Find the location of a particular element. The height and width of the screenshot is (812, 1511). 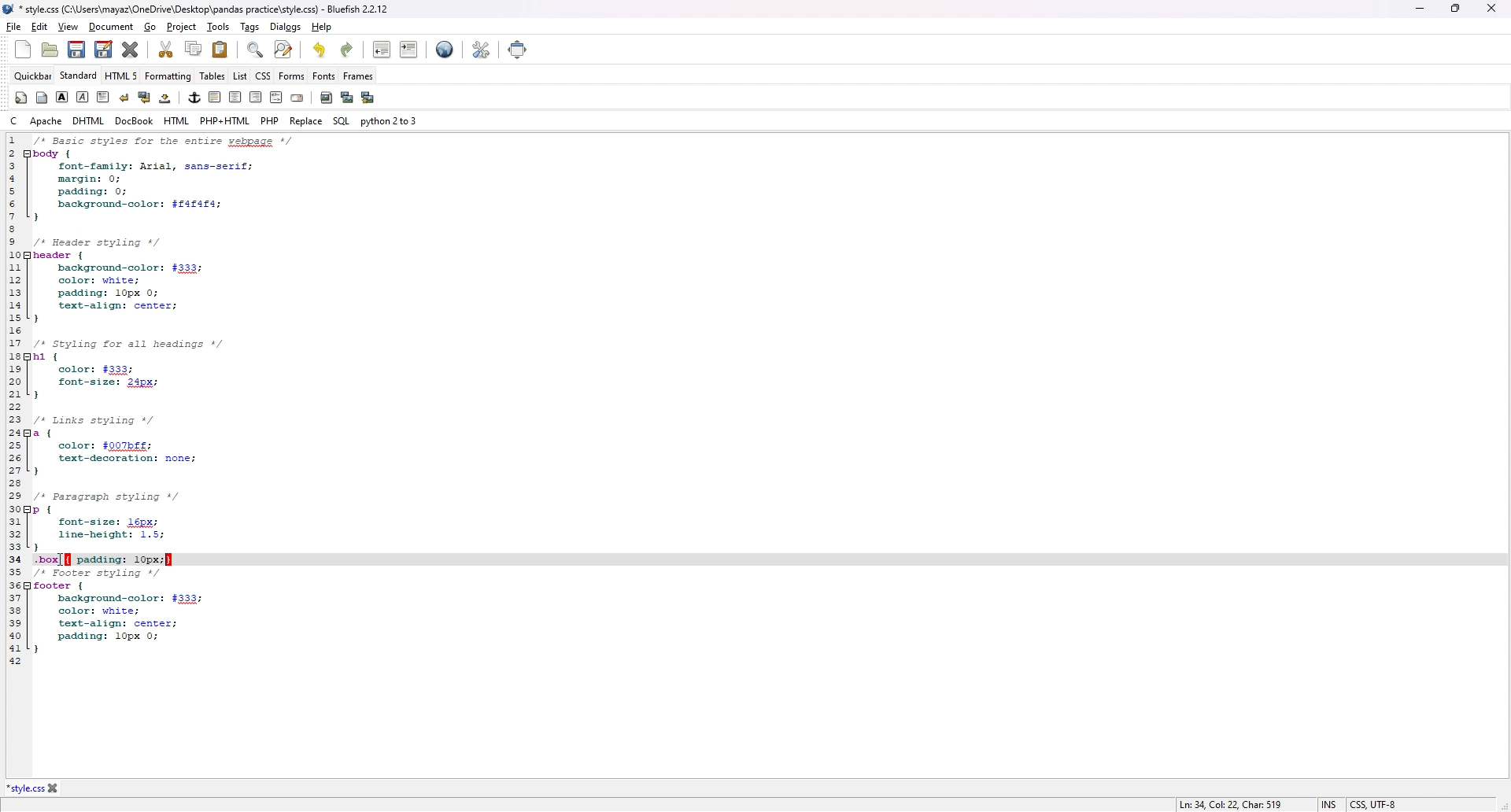

unindent is located at coordinates (382, 49).